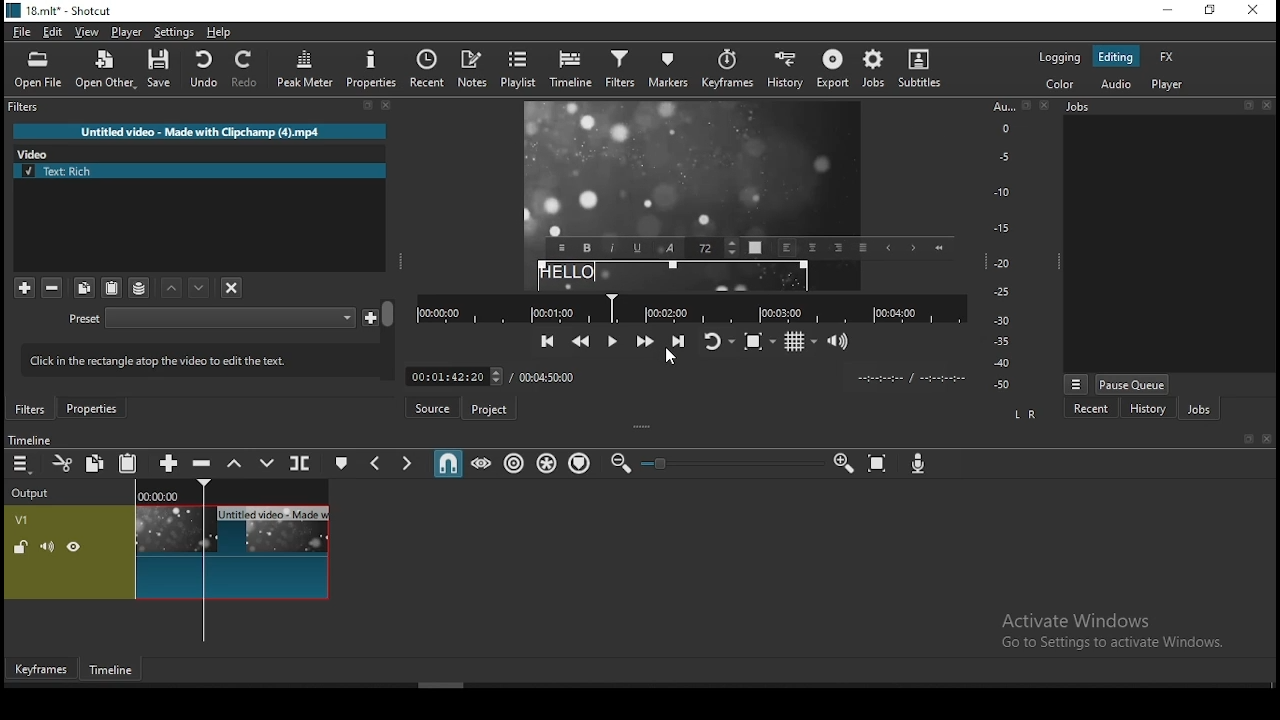 This screenshot has height=720, width=1280. What do you see at coordinates (62, 463) in the screenshot?
I see `cut` at bounding box center [62, 463].